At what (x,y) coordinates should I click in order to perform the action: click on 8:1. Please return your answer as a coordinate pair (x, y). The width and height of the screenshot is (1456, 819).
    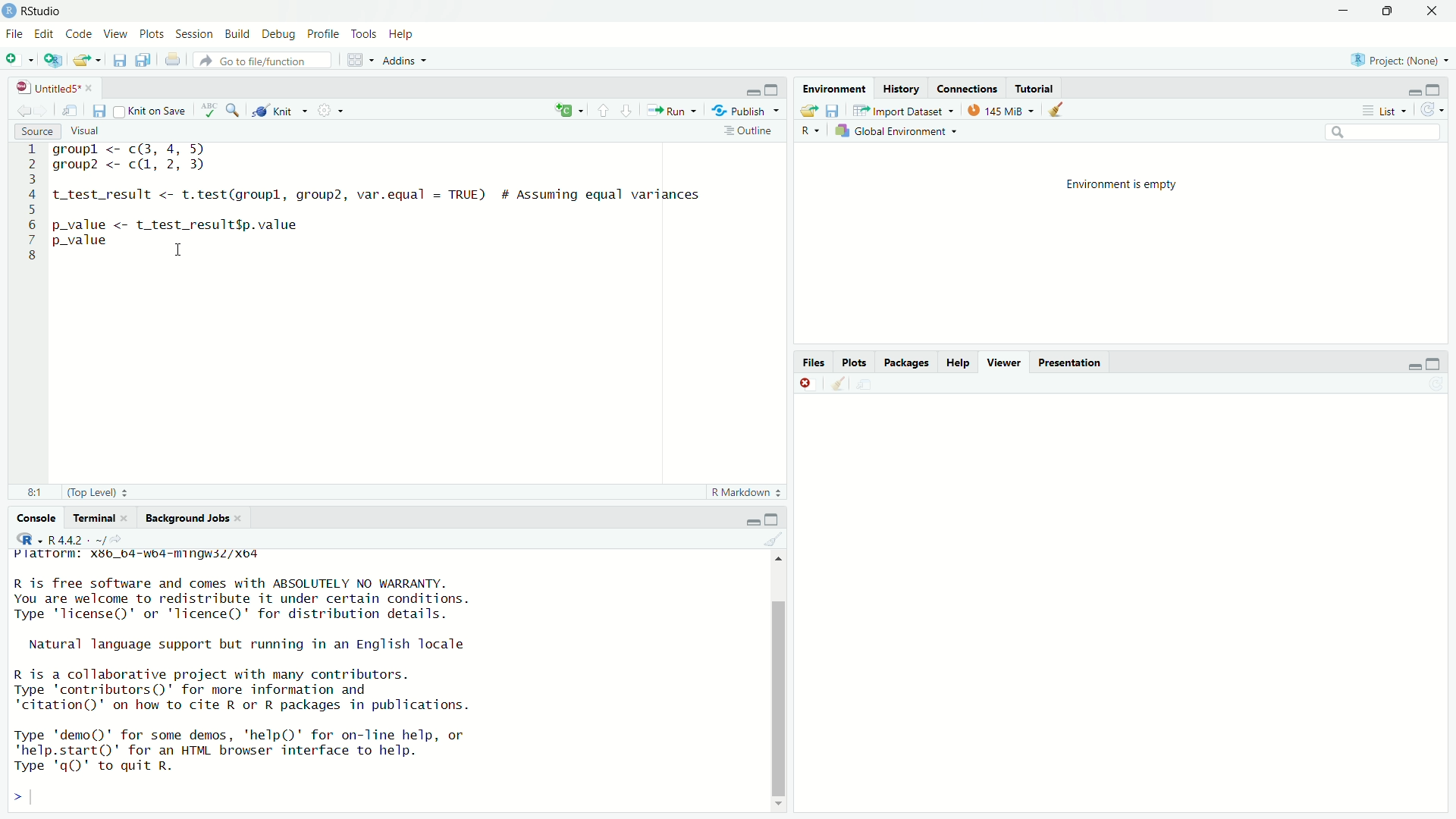
    Looking at the image, I should click on (30, 492).